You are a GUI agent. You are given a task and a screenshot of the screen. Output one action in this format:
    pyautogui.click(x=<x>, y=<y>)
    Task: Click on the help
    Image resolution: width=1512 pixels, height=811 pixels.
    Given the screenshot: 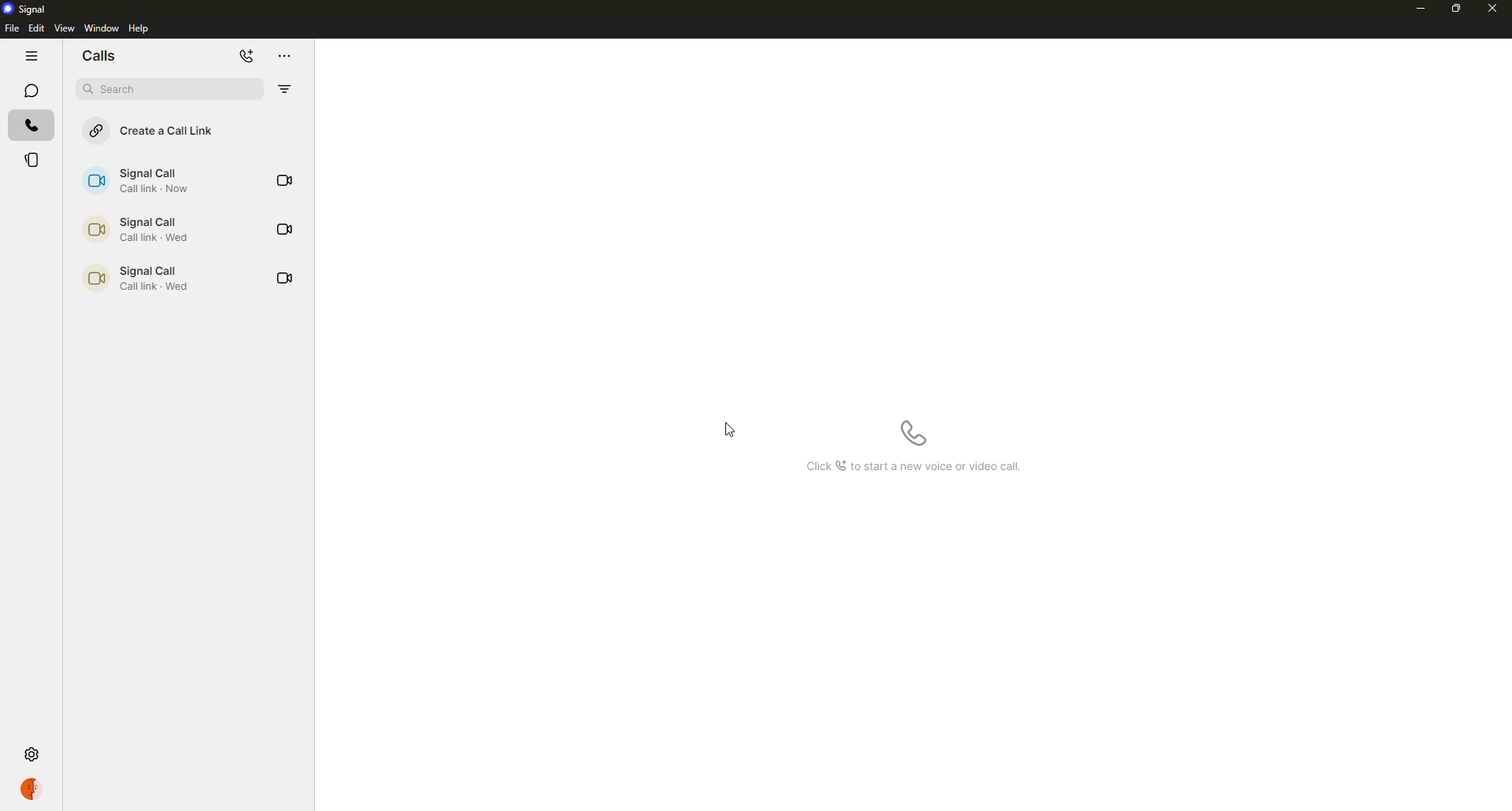 What is the action you would take?
    pyautogui.click(x=141, y=28)
    